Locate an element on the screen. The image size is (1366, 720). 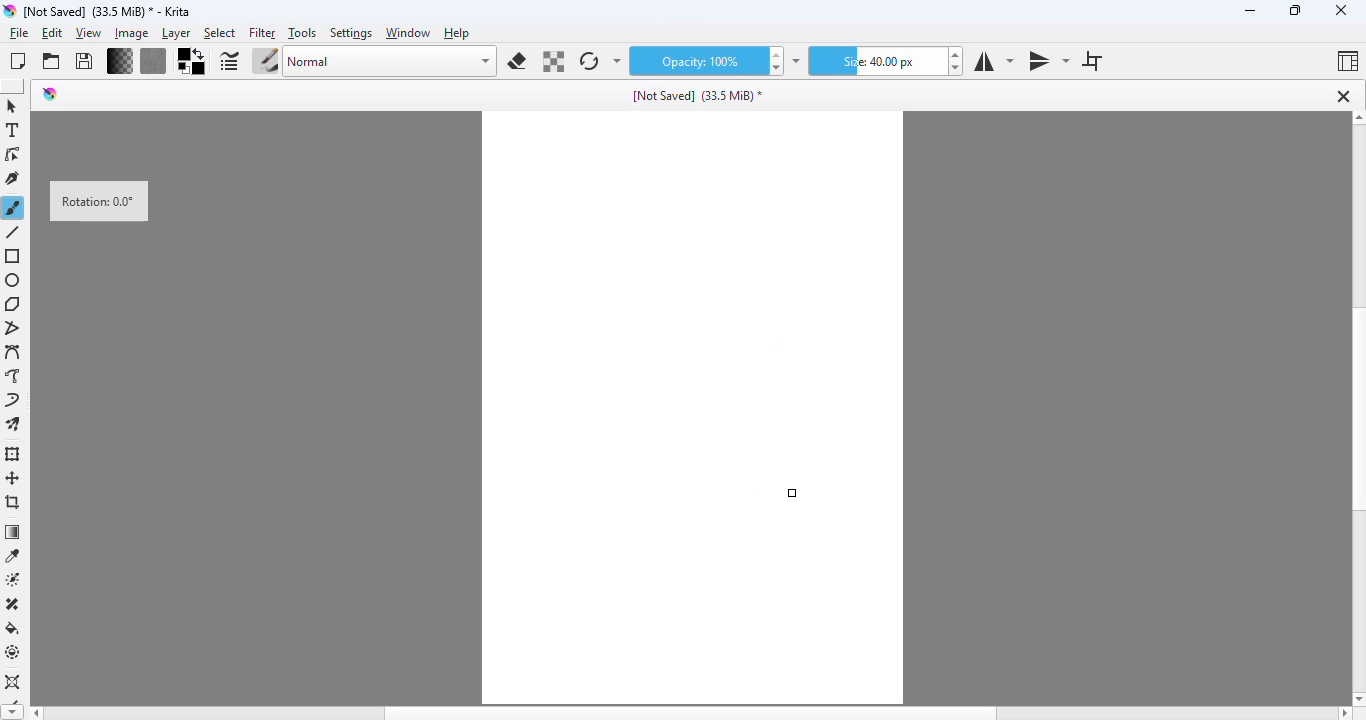
Scroll Up is located at coordinates (1357, 119).